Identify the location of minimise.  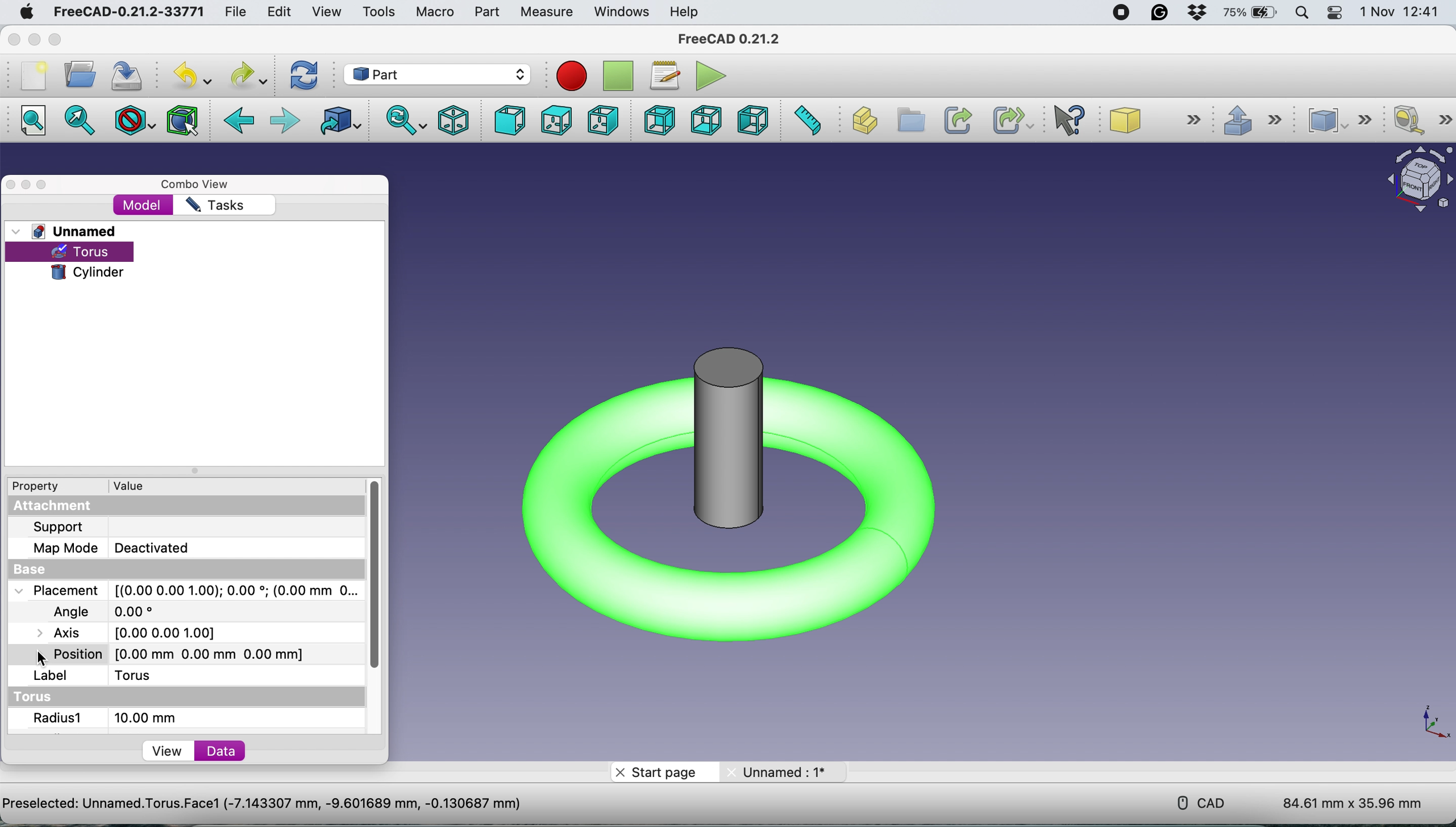
(31, 40).